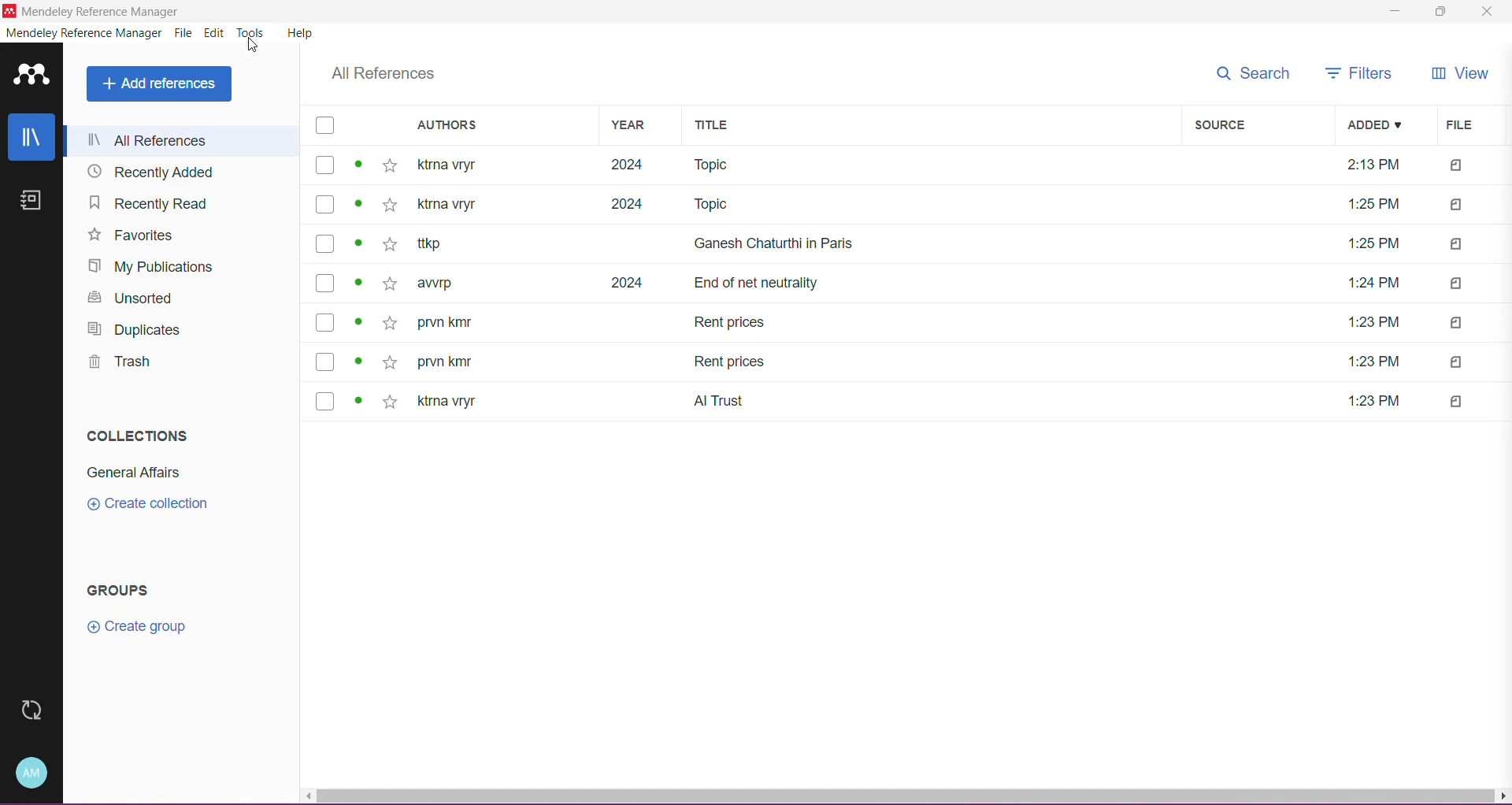  Describe the element at coordinates (772, 242) in the screenshot. I see `Title` at that location.